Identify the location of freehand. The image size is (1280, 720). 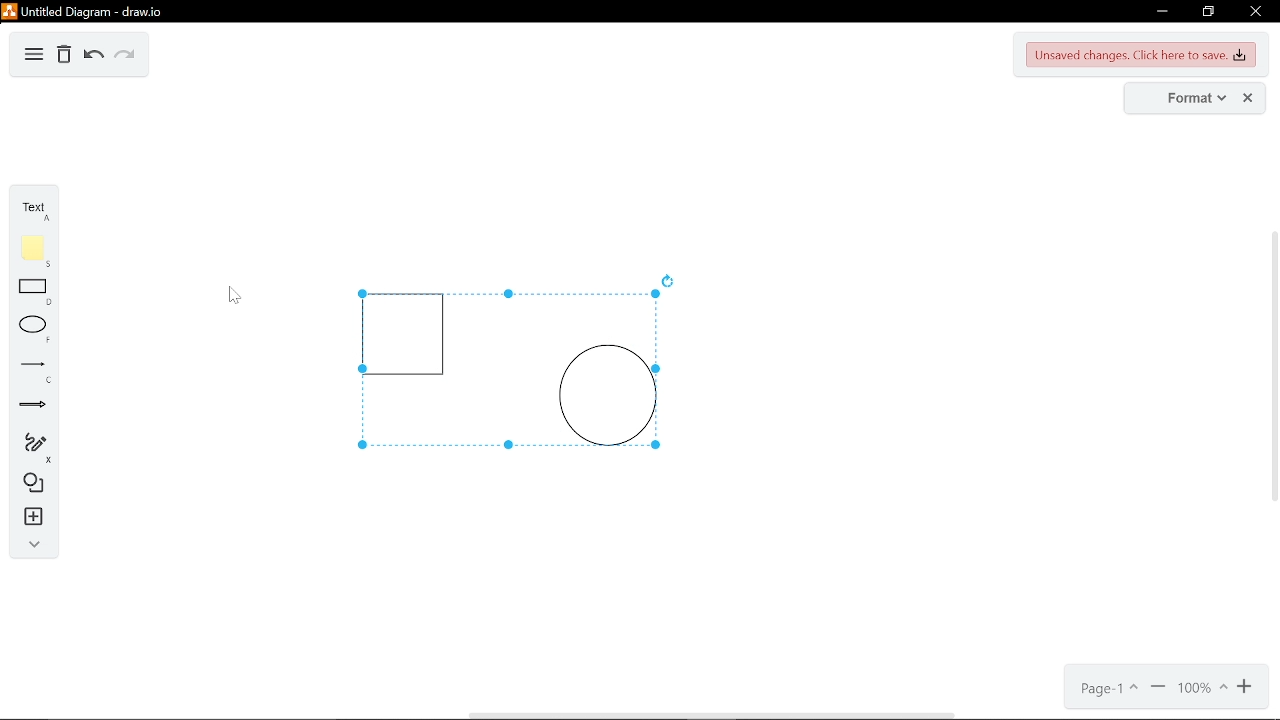
(29, 446).